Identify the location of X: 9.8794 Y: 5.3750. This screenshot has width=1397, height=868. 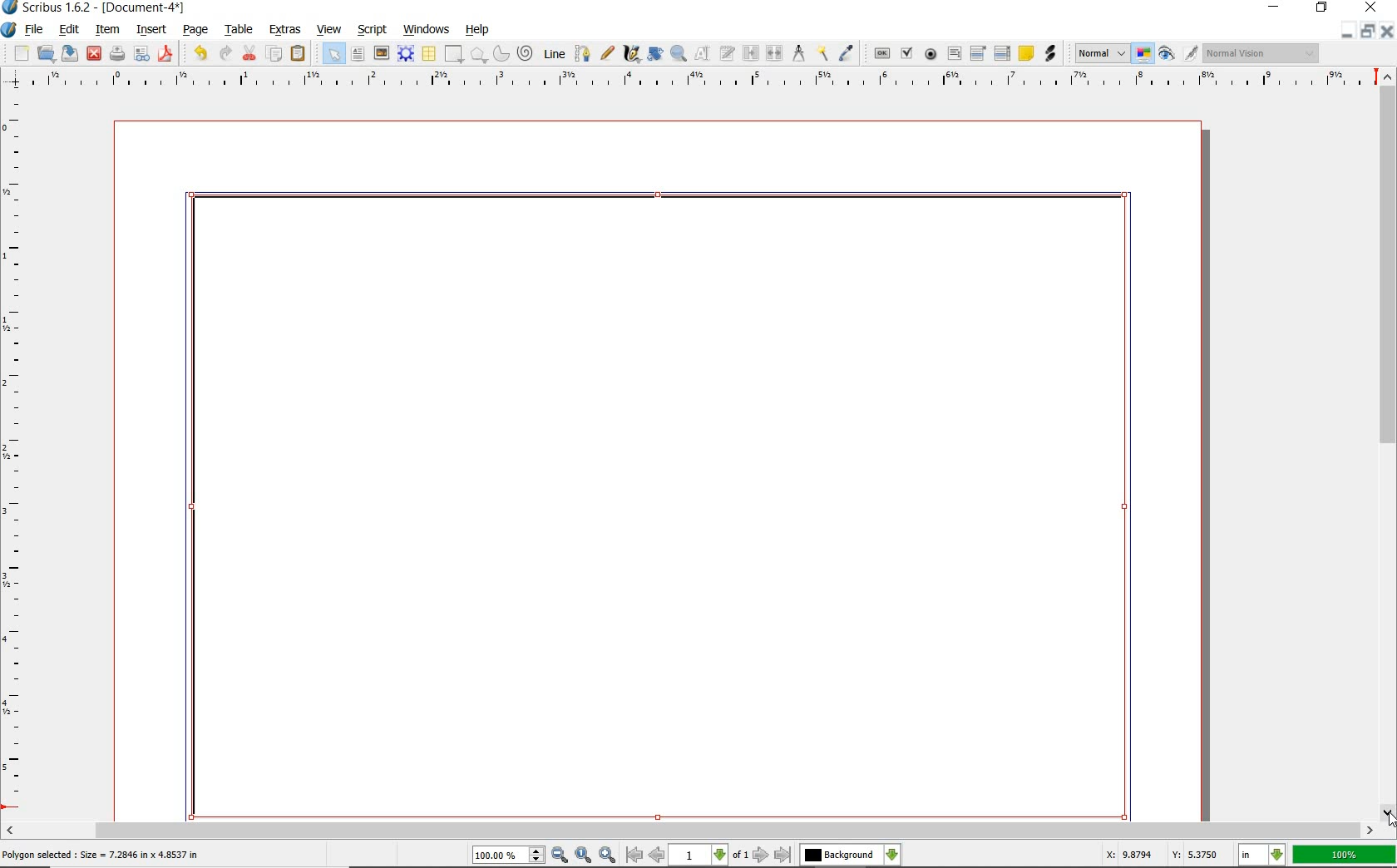
(1161, 853).